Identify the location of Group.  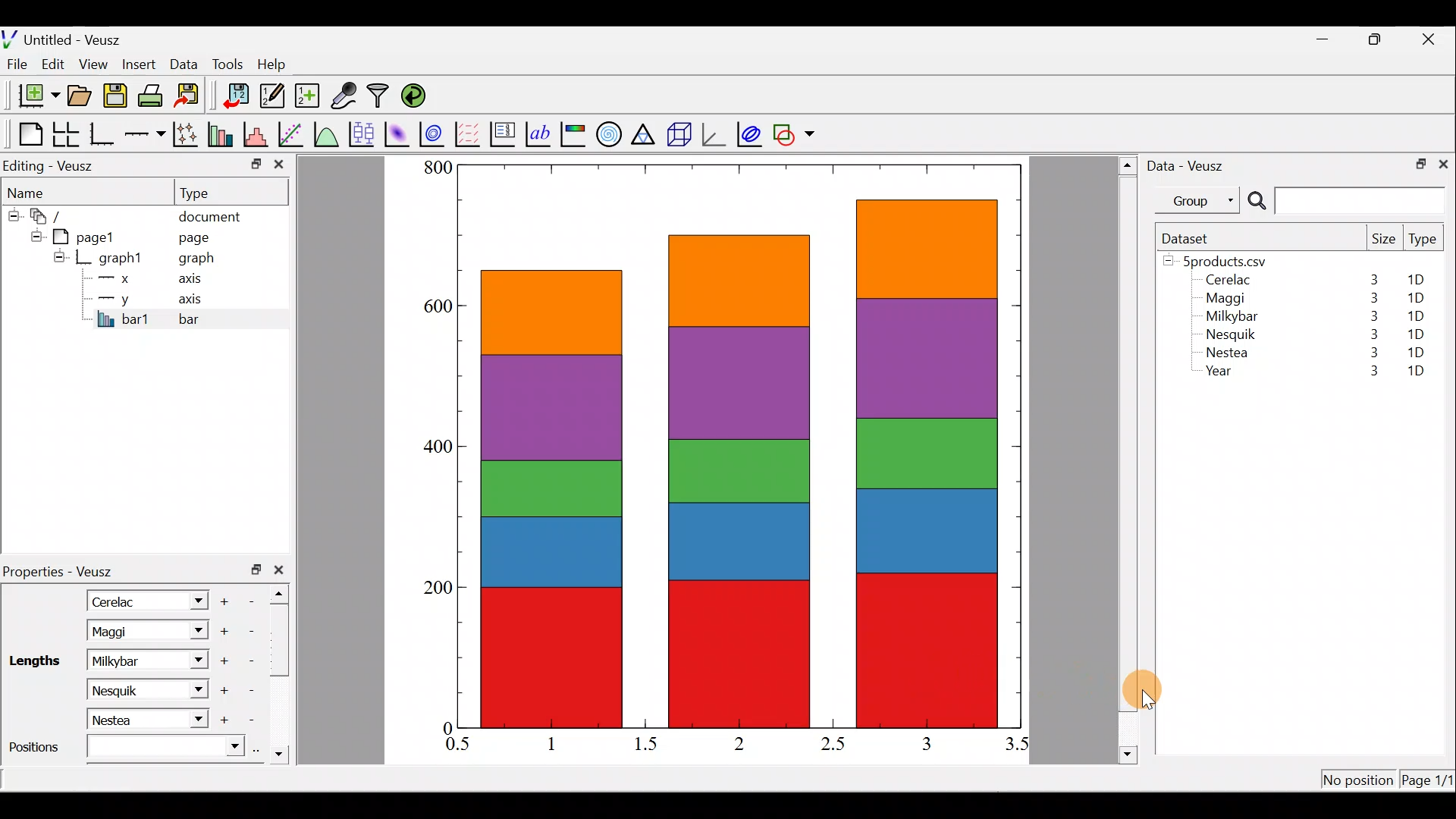
(1200, 199).